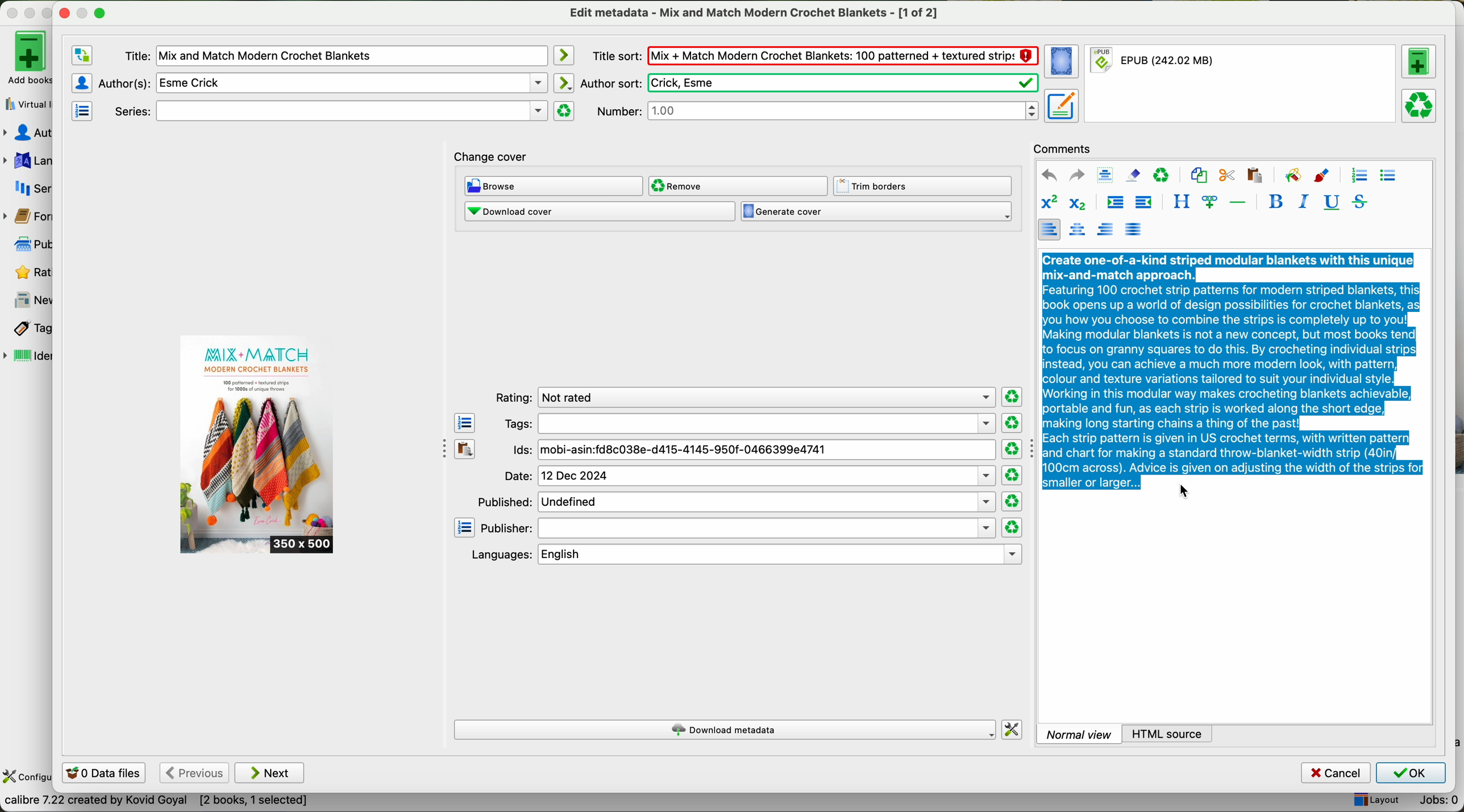 This screenshot has width=1464, height=812. What do you see at coordinates (65, 11) in the screenshot?
I see `close window` at bounding box center [65, 11].